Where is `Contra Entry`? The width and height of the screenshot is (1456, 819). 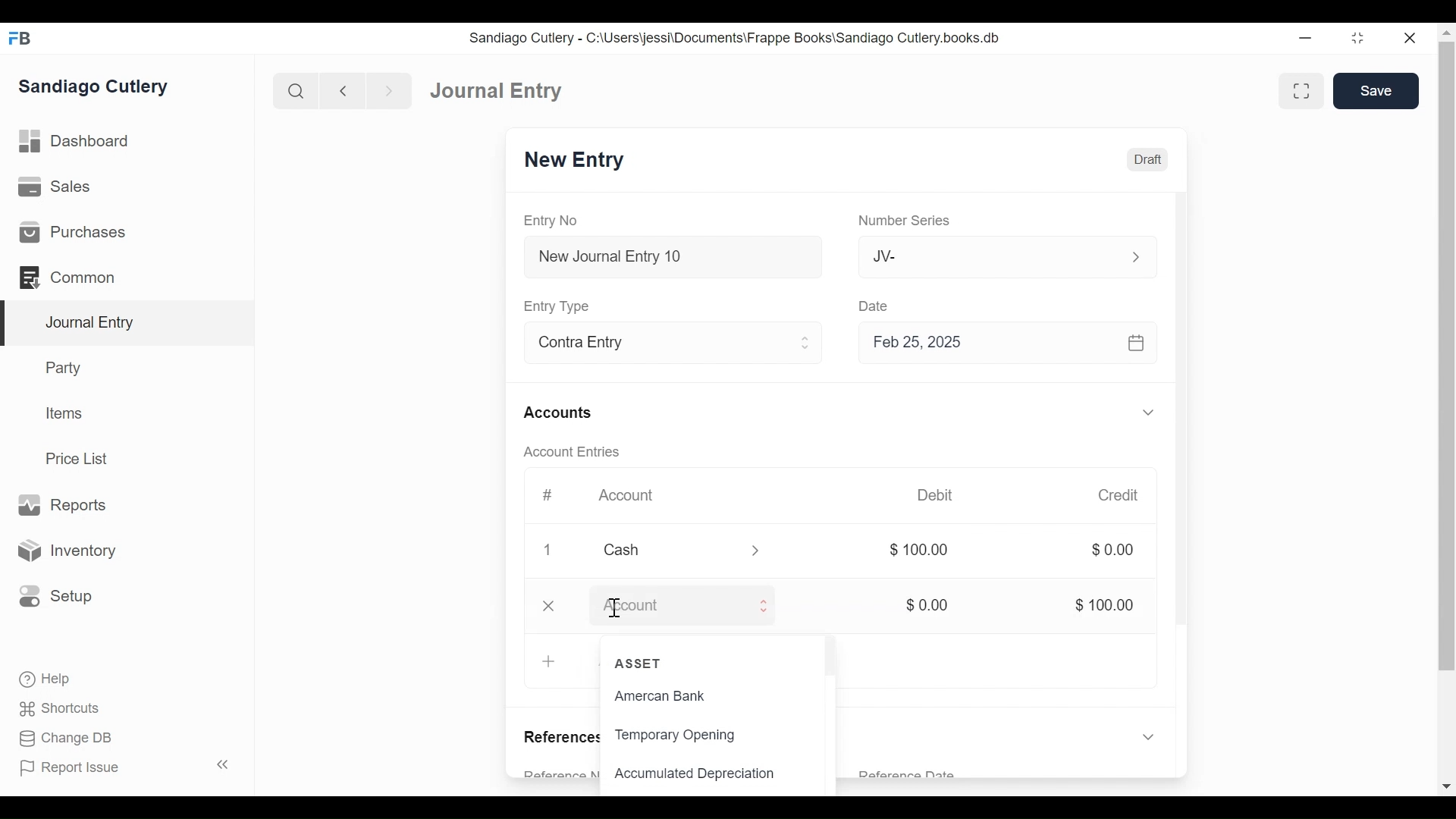
Contra Entry is located at coordinates (655, 346).